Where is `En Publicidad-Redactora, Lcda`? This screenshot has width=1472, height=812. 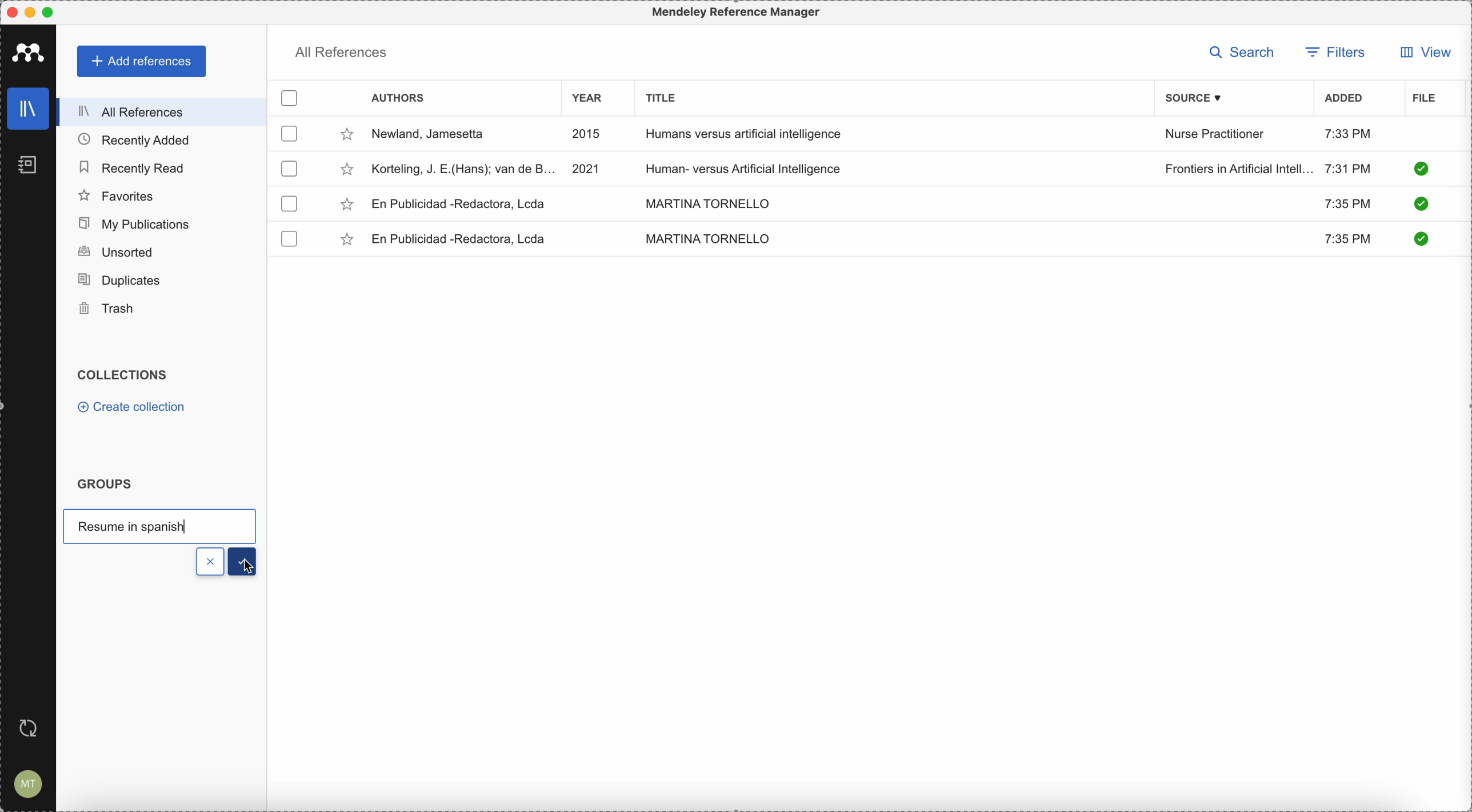 En Publicidad-Redactora, Lcda is located at coordinates (459, 204).